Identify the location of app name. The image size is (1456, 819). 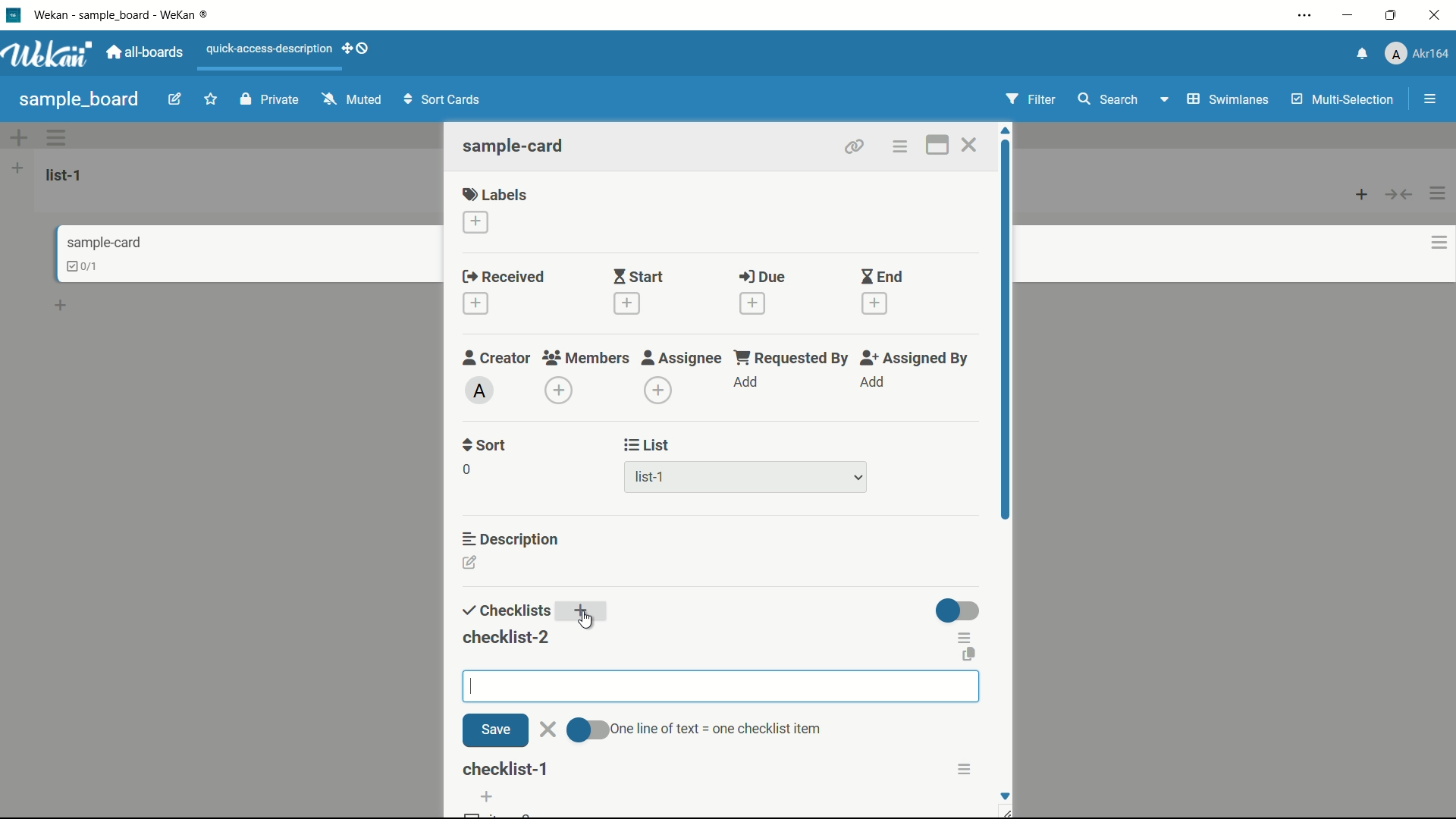
(124, 14).